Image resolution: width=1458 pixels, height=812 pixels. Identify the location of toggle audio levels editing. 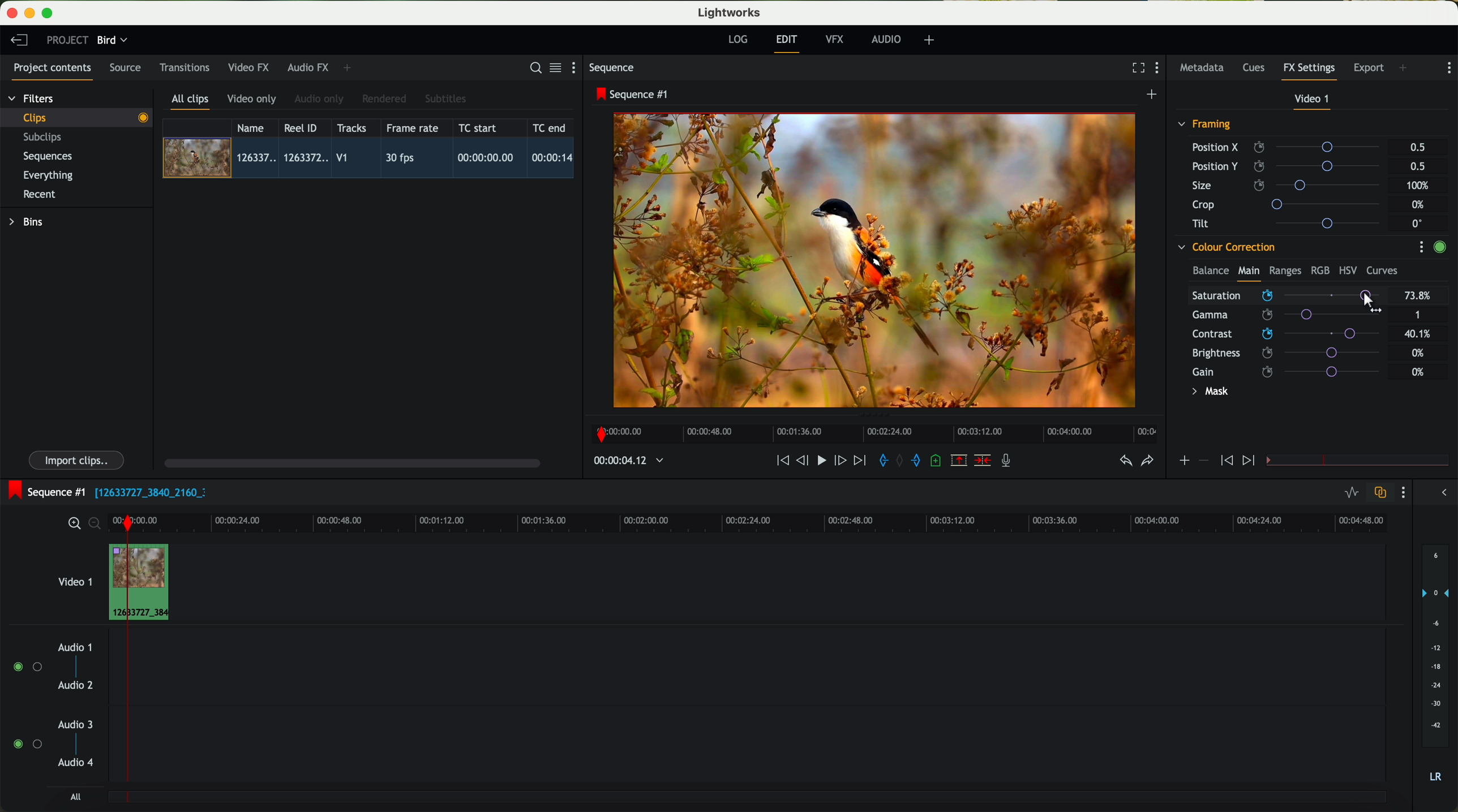
(1351, 494).